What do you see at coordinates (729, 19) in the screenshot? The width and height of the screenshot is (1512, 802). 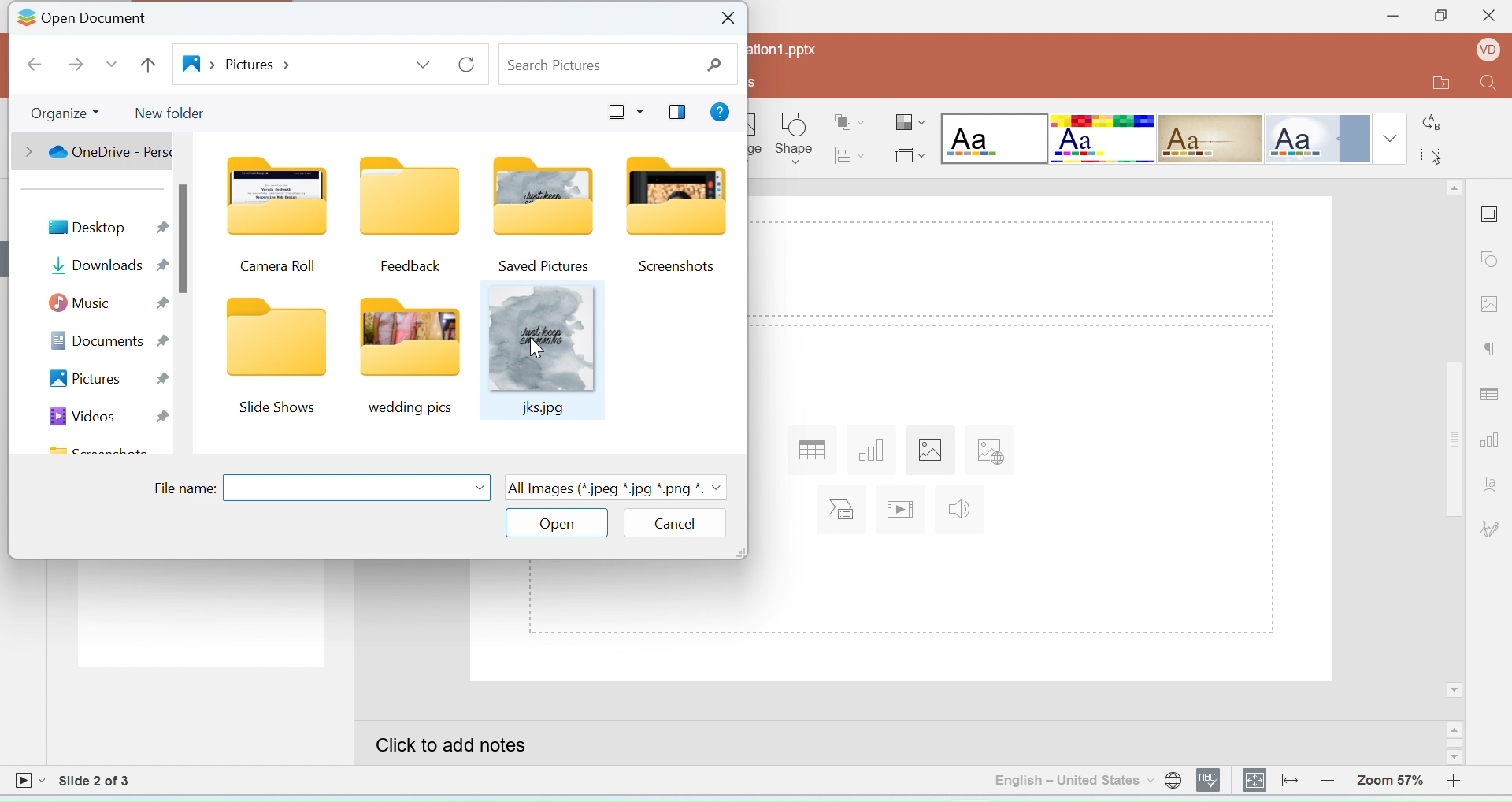 I see `close window` at bounding box center [729, 19].